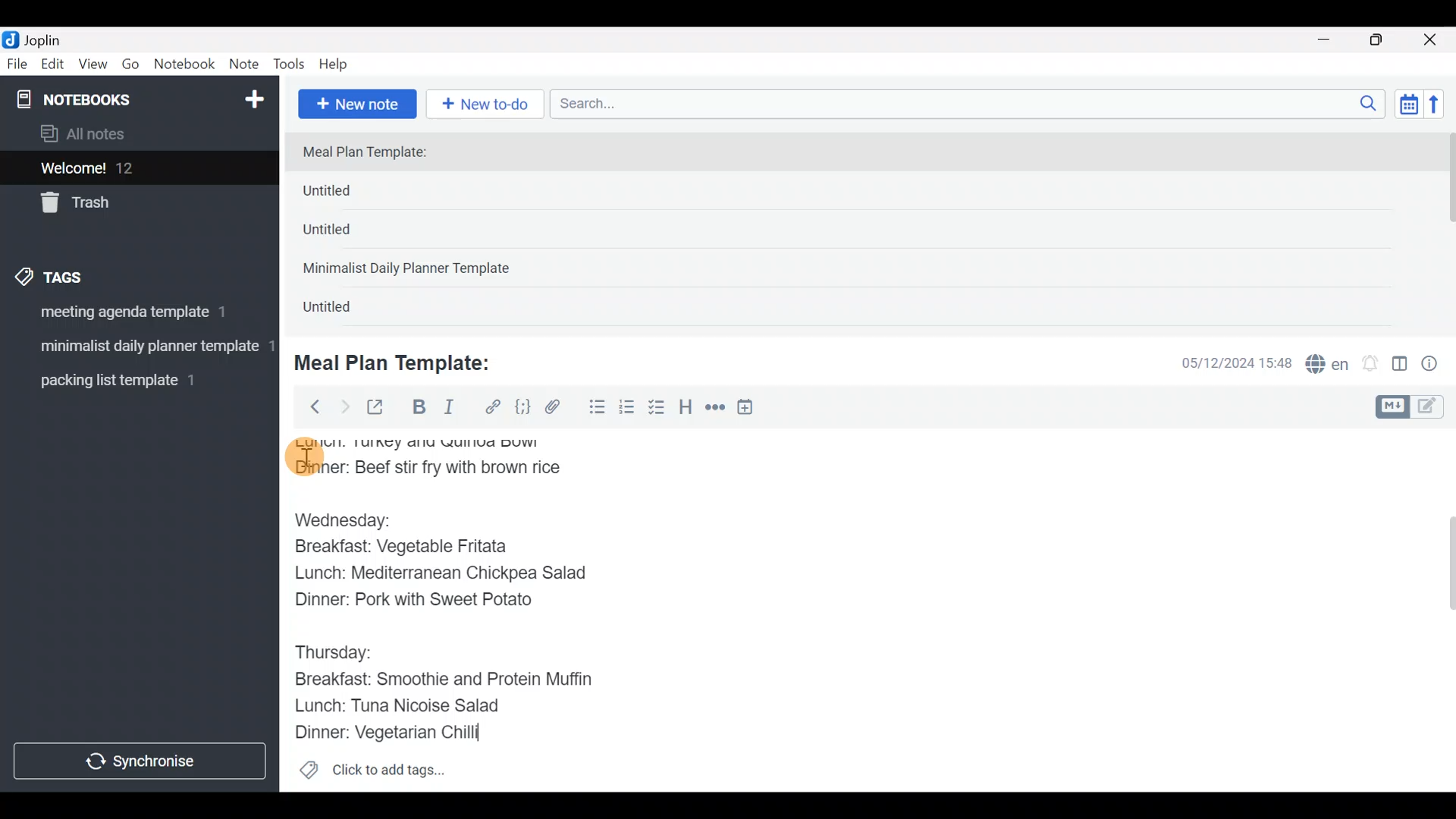 Image resolution: width=1456 pixels, height=819 pixels. Describe the element at coordinates (185, 64) in the screenshot. I see `Notebook` at that location.